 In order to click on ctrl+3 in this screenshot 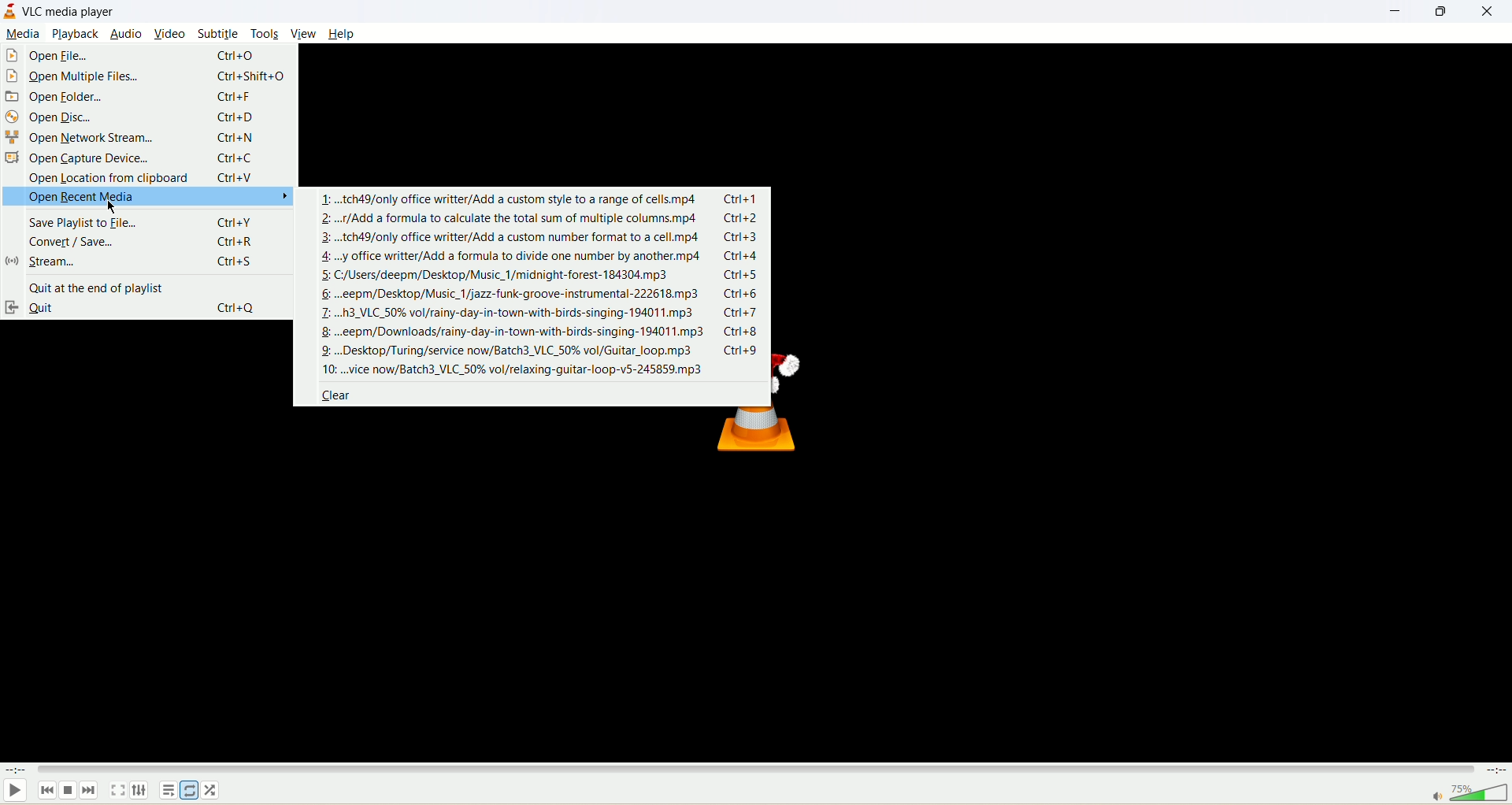, I will do `click(743, 237)`.